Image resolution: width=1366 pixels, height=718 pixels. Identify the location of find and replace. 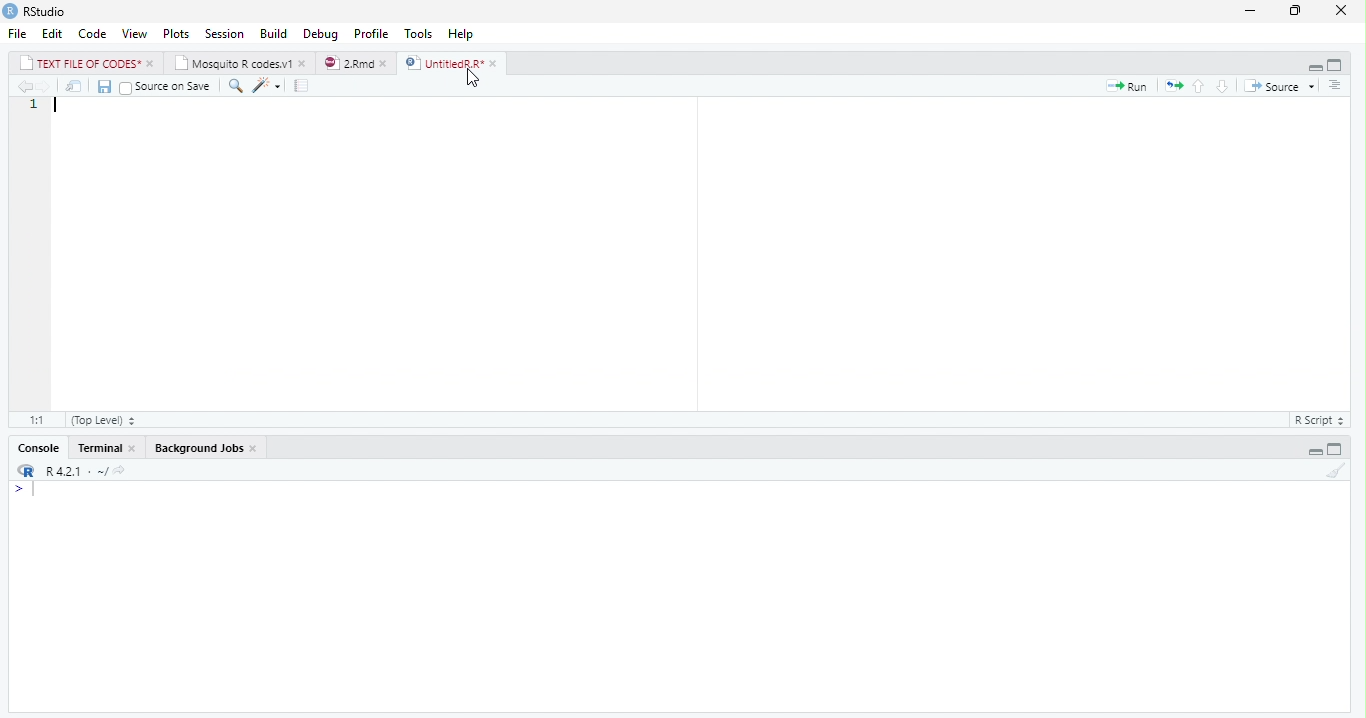
(238, 87).